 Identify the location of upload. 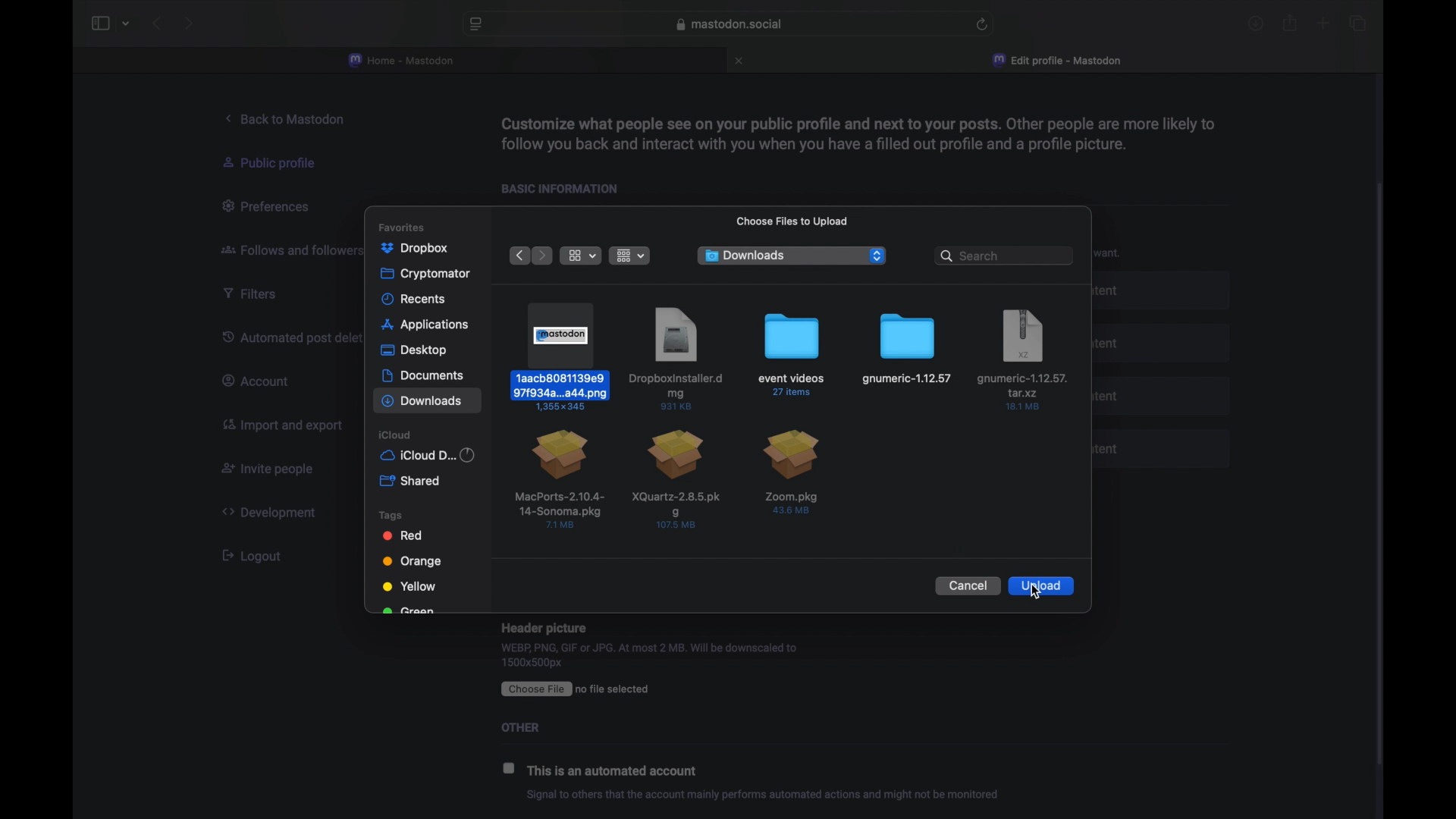
(1043, 585).